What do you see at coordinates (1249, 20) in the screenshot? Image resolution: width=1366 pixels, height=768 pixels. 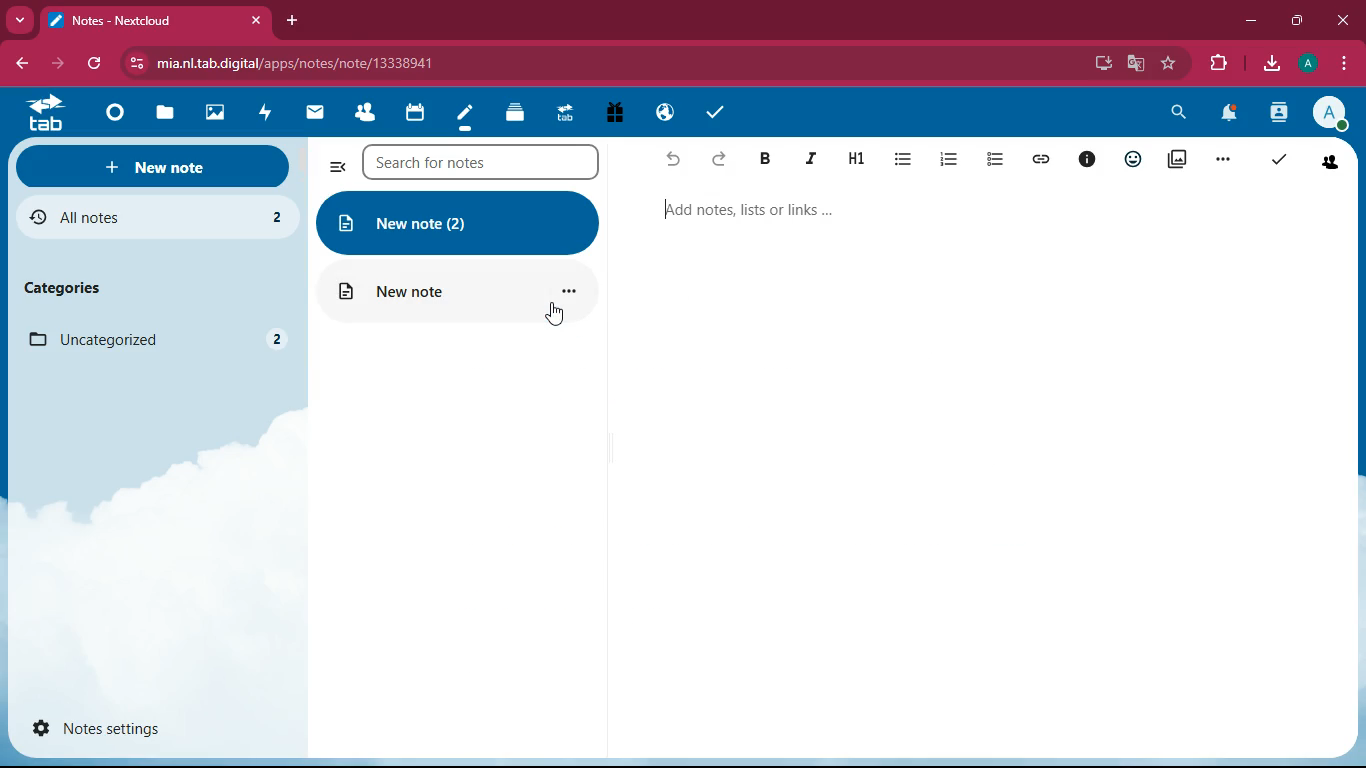 I see `minimize` at bounding box center [1249, 20].